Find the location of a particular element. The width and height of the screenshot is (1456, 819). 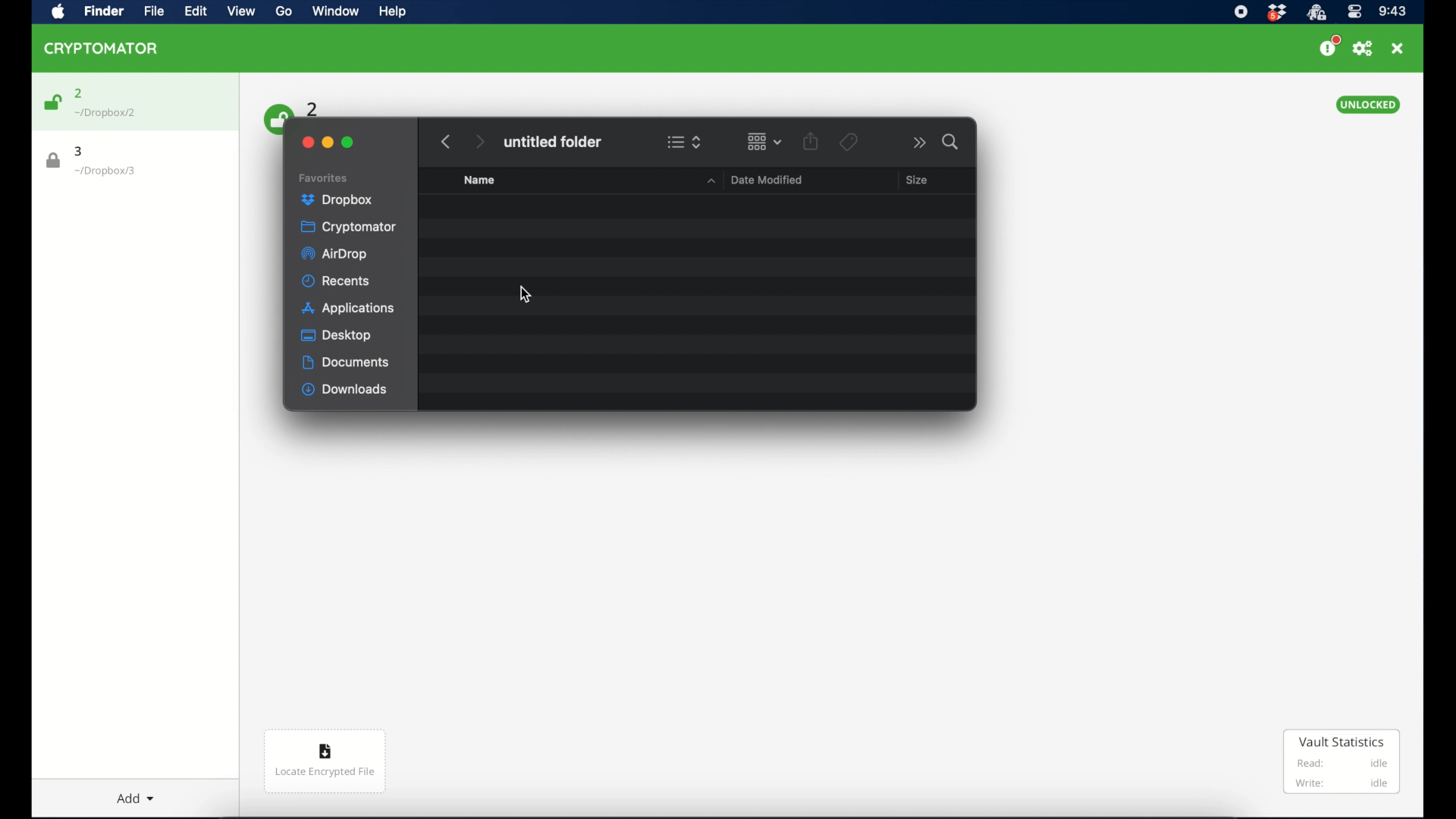

view is located at coordinates (241, 11).